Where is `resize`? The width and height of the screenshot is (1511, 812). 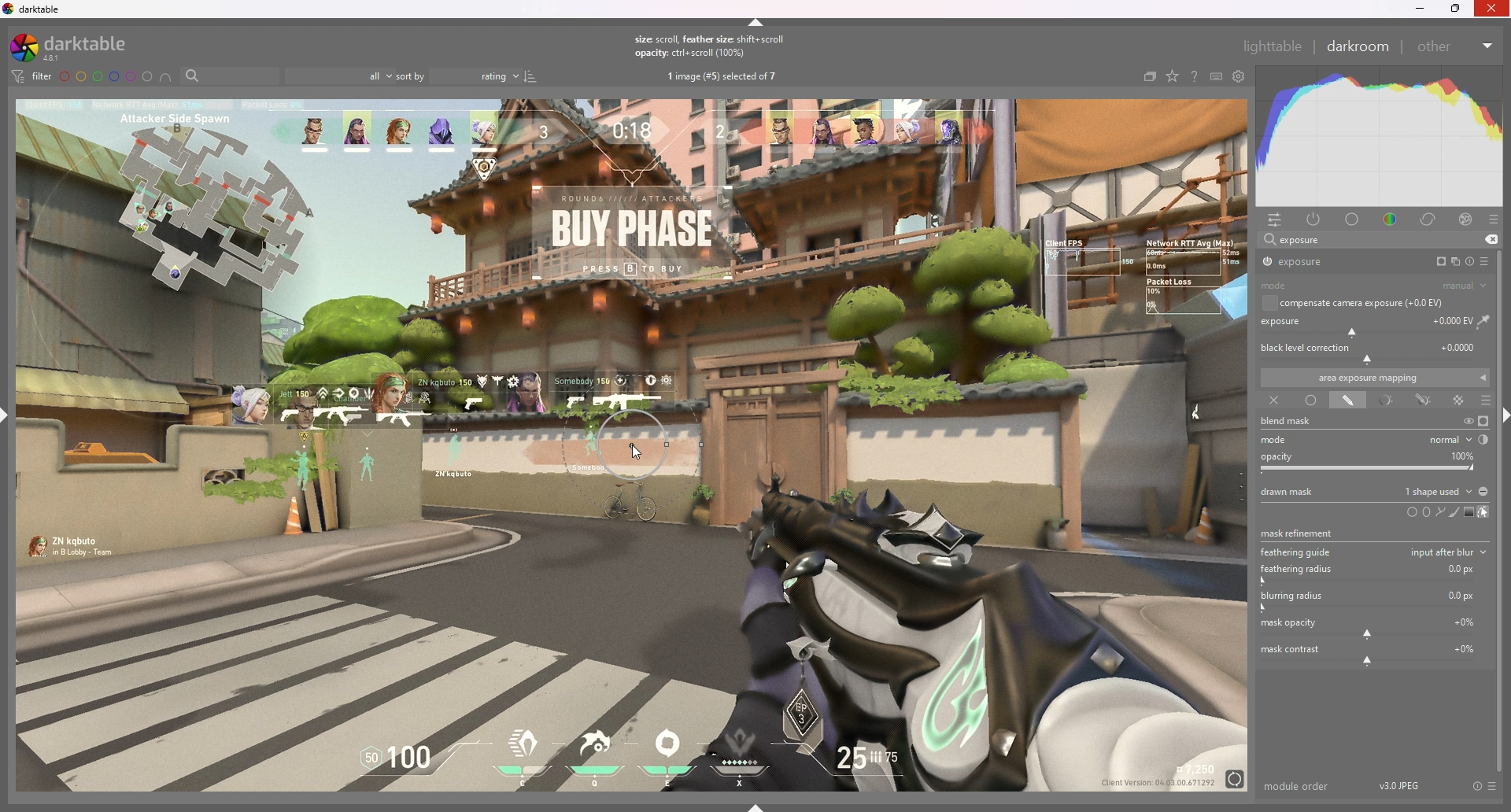 resize is located at coordinates (1456, 9).